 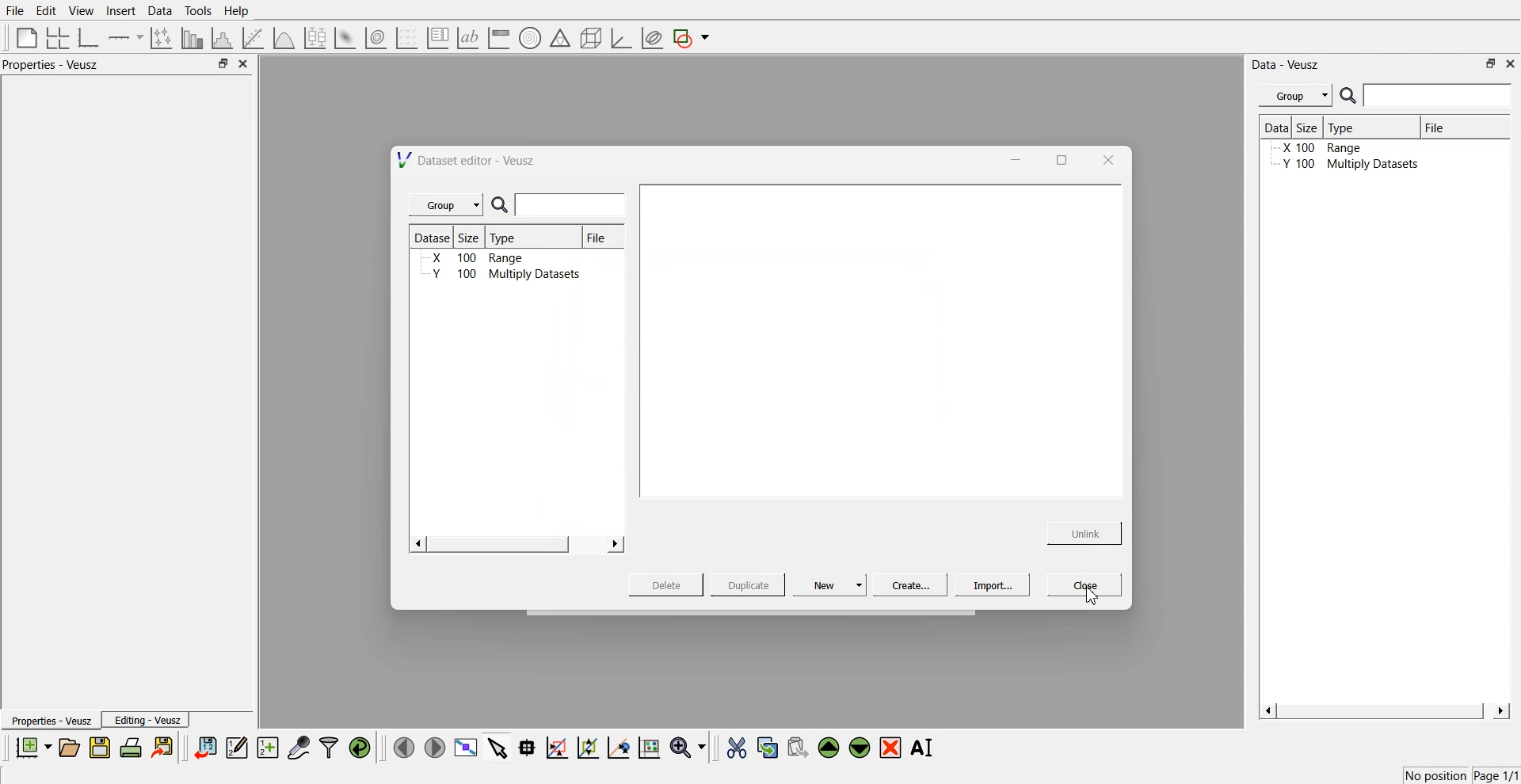 I want to click on Create..., so click(x=908, y=584).